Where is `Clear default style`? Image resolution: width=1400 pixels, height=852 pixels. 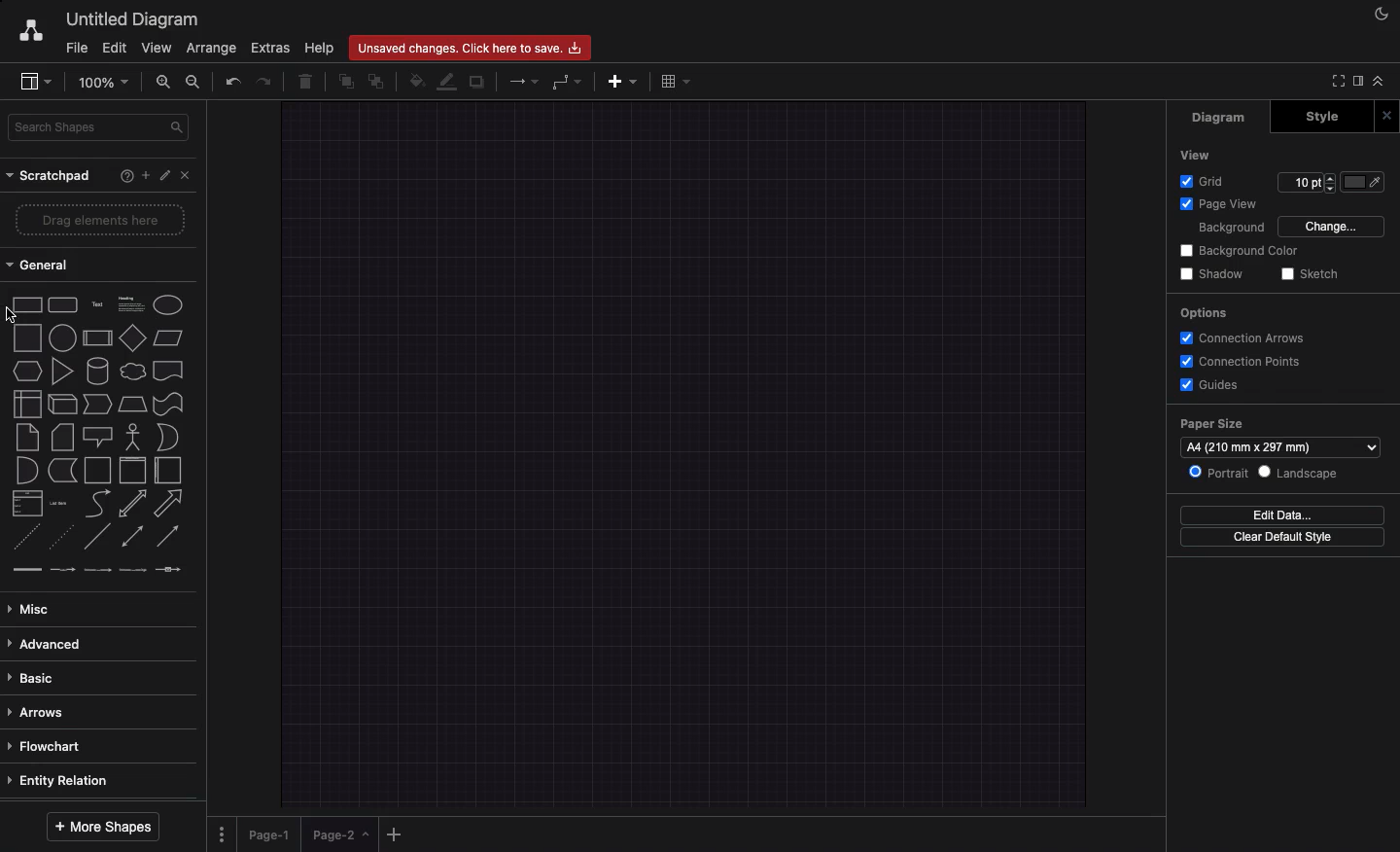 Clear default style is located at coordinates (1284, 540).